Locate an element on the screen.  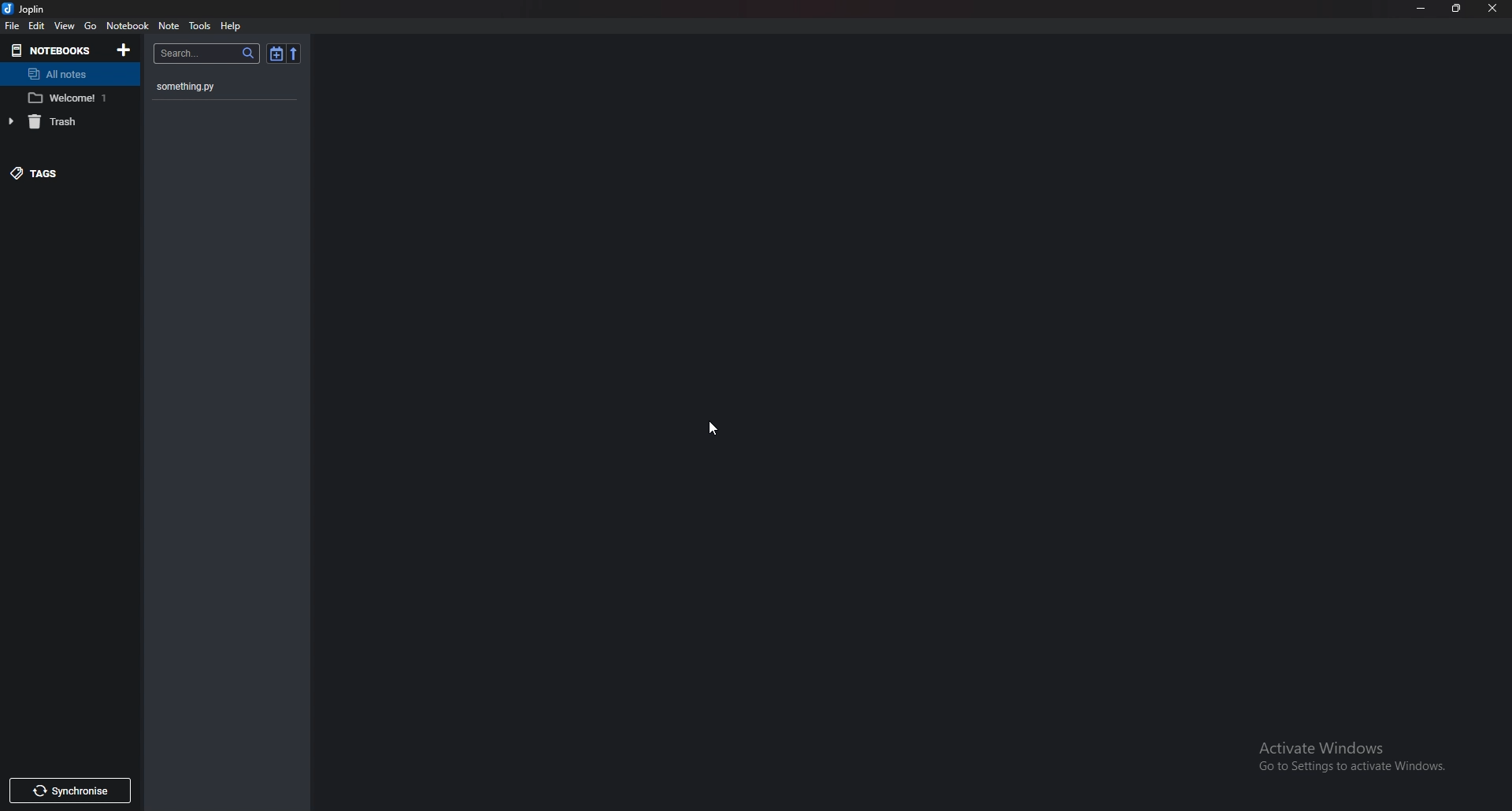
All notes is located at coordinates (69, 75).